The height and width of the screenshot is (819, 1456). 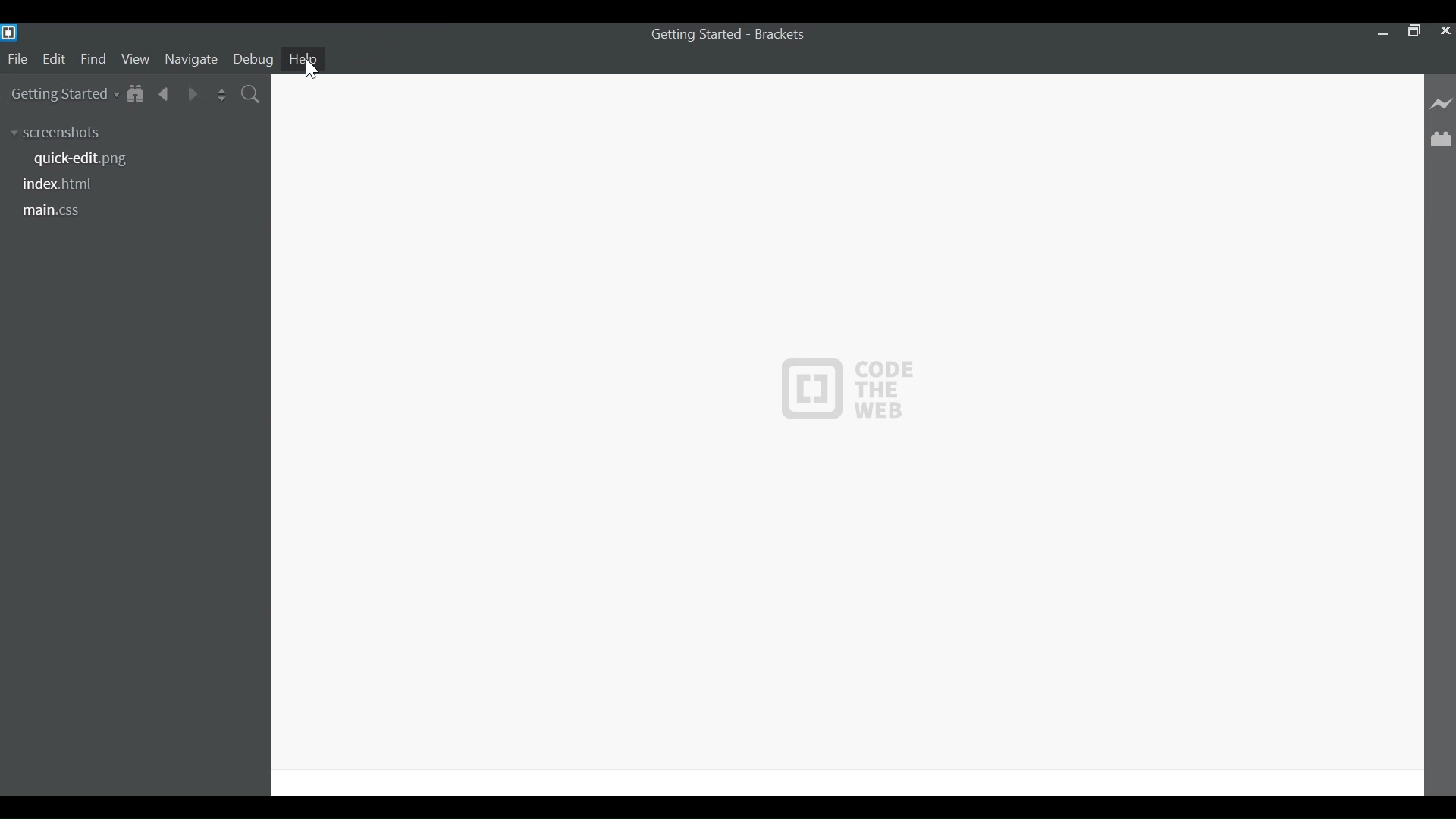 I want to click on Split the Editor Vertically or Horizontally, so click(x=221, y=93).